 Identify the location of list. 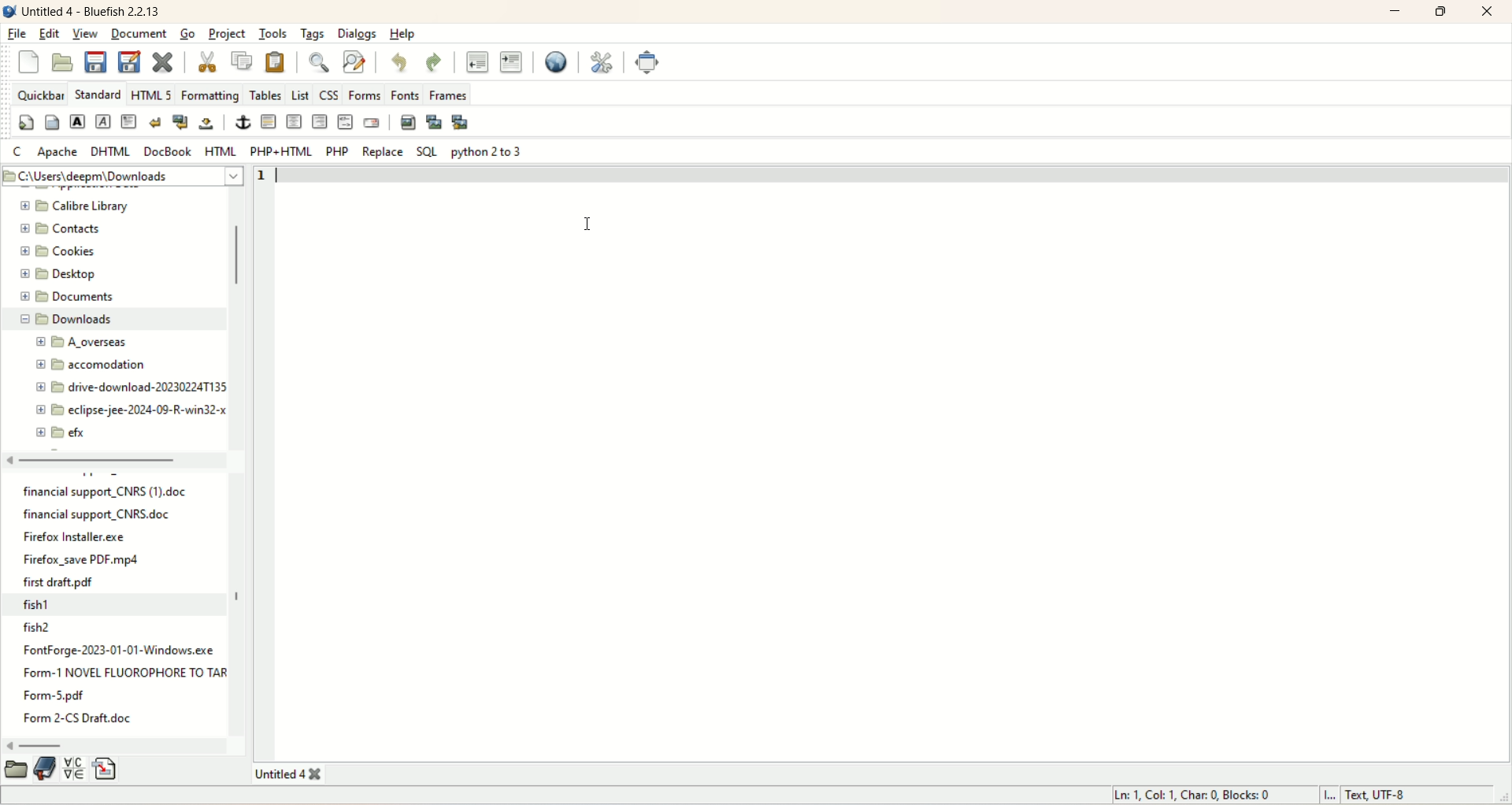
(301, 94).